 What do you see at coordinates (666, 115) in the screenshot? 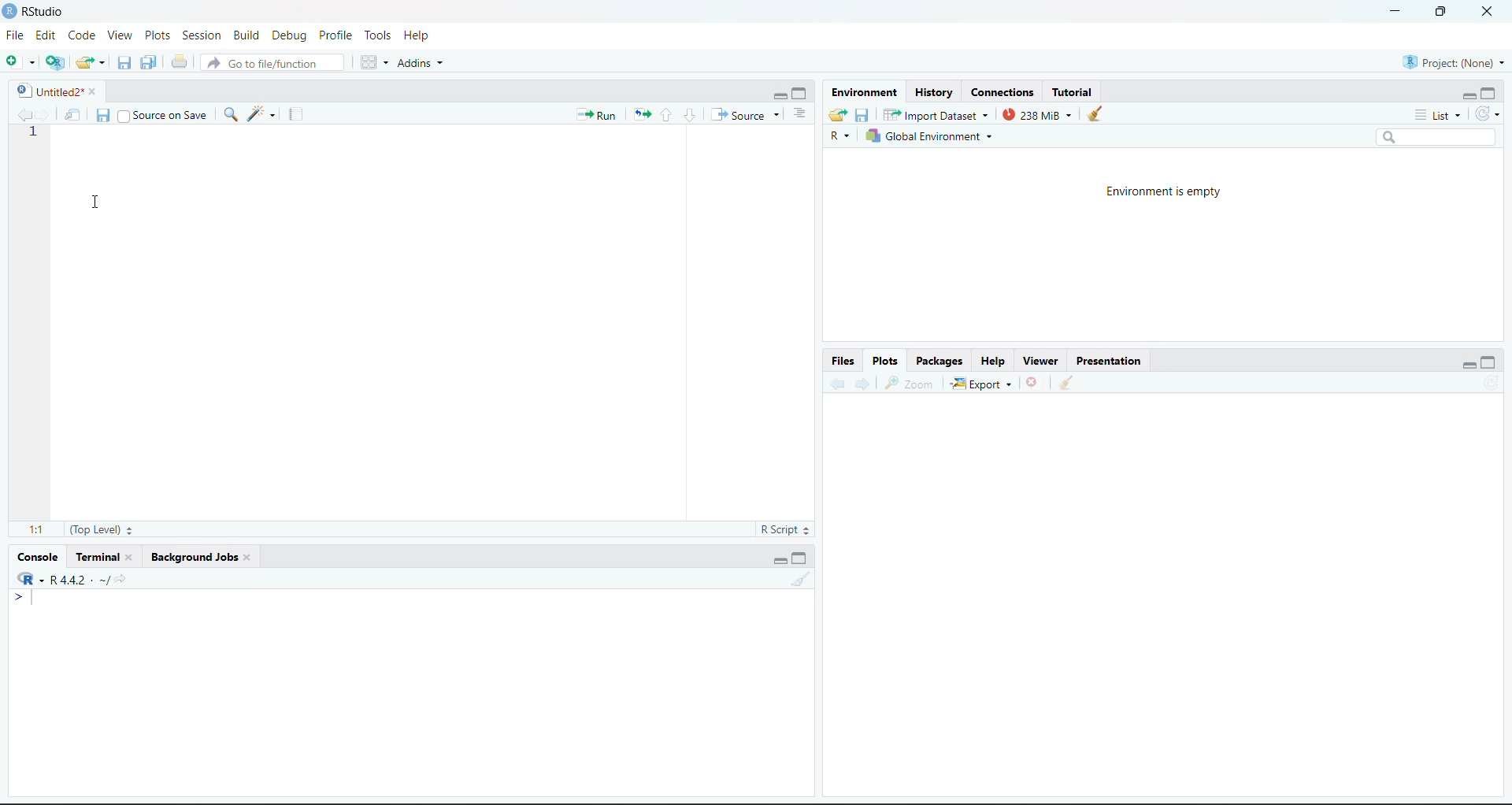
I see `up` at bounding box center [666, 115].